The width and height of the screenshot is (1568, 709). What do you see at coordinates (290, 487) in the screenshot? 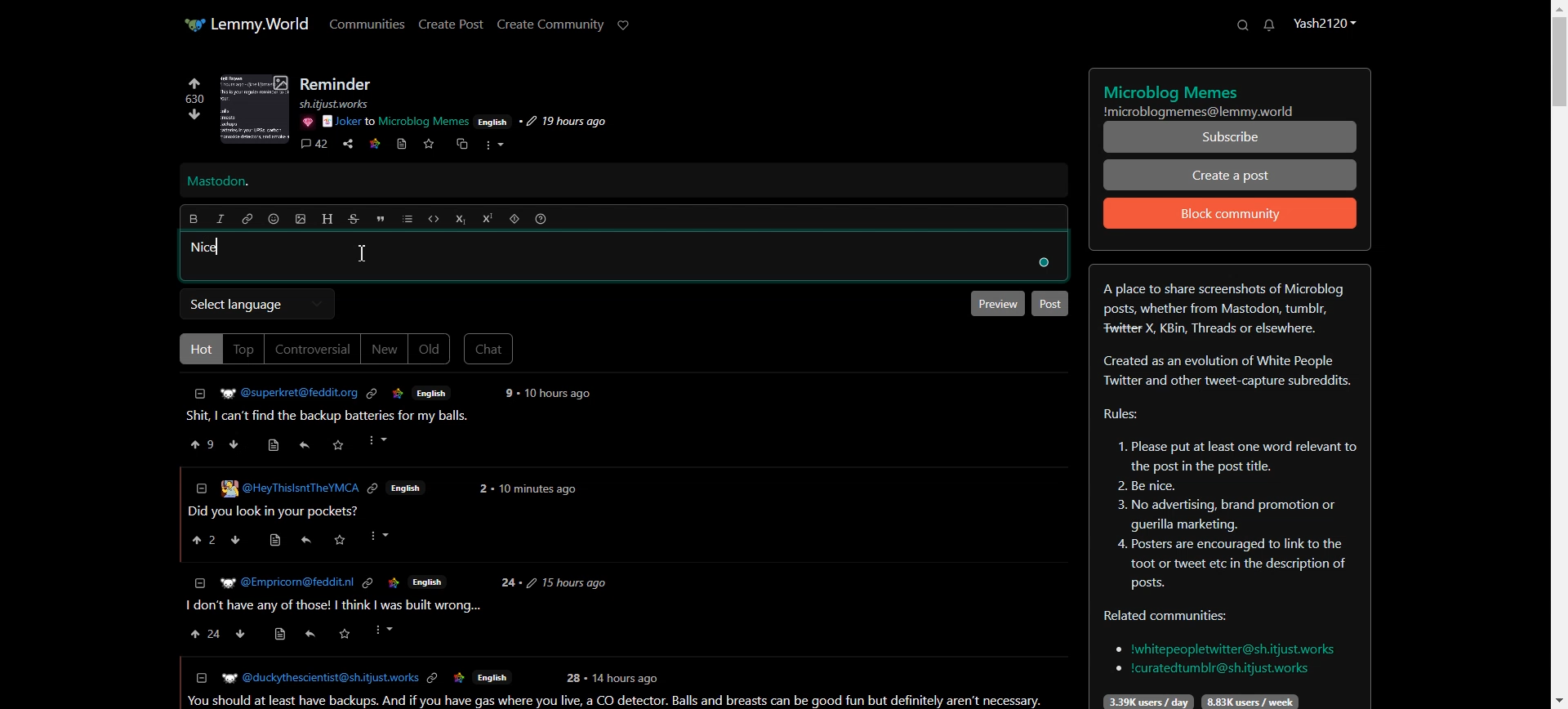
I see `RB @HeyThislsntTheYMCA @` at bounding box center [290, 487].